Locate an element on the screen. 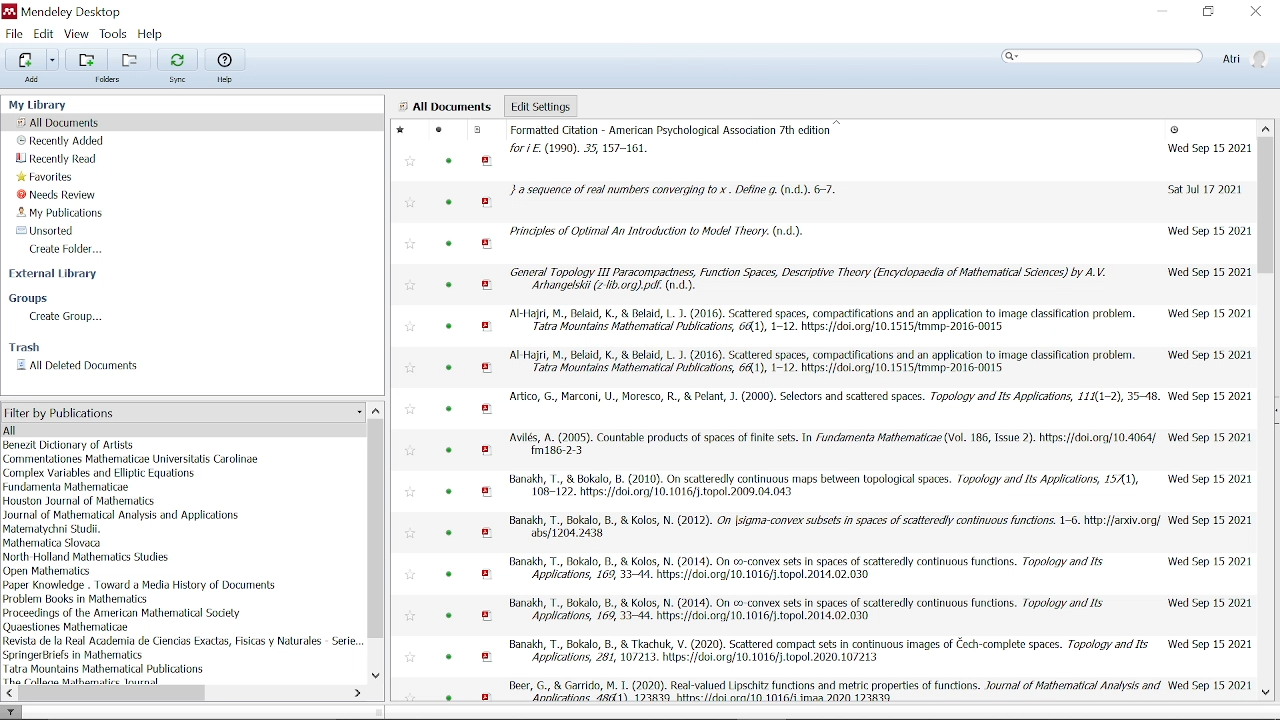 The height and width of the screenshot is (720, 1280). Date time is located at coordinates (1212, 519).